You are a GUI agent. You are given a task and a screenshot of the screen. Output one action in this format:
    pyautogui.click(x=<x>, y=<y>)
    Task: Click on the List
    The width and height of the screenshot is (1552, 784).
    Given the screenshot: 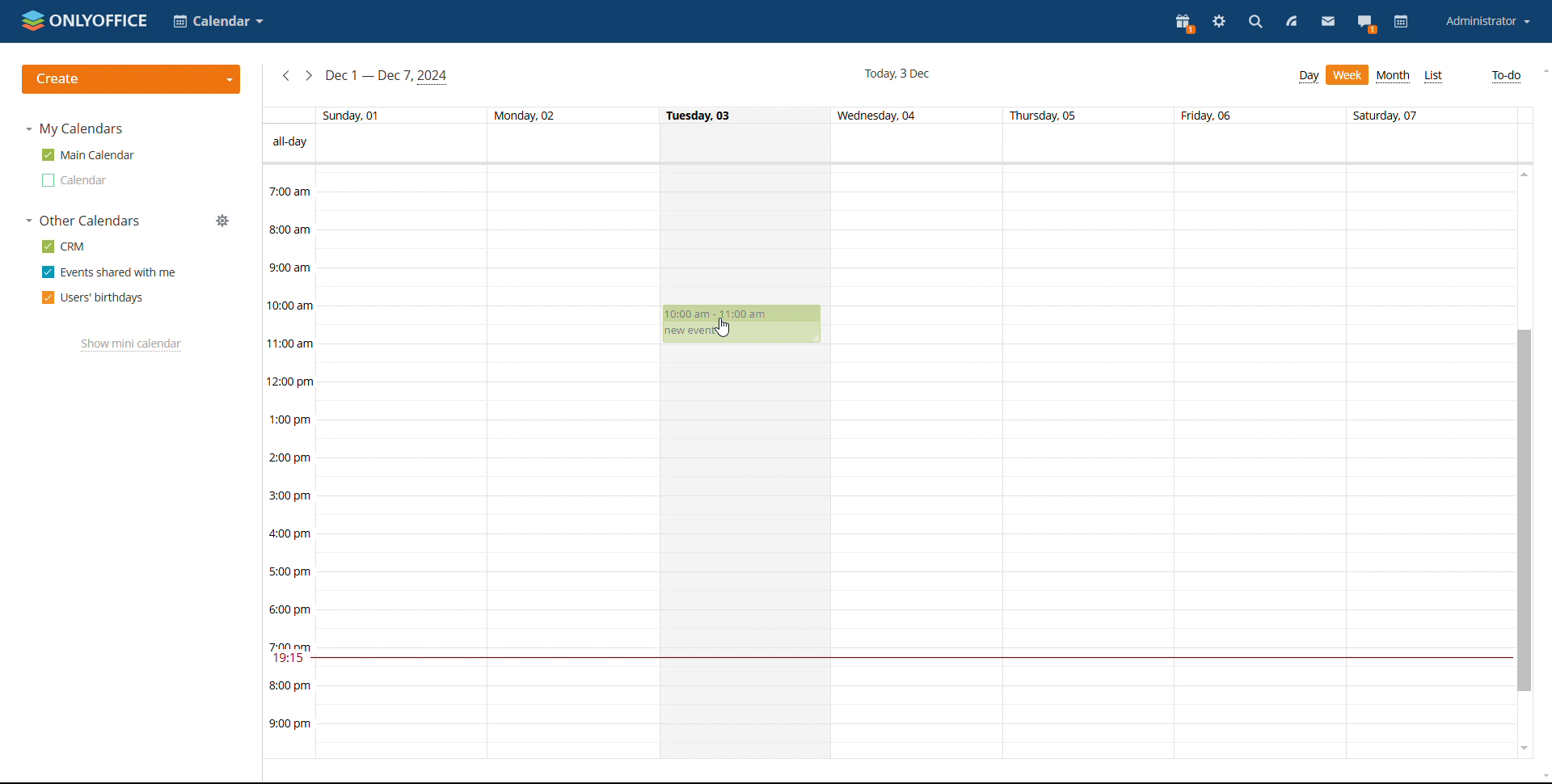 What is the action you would take?
    pyautogui.click(x=1435, y=77)
    